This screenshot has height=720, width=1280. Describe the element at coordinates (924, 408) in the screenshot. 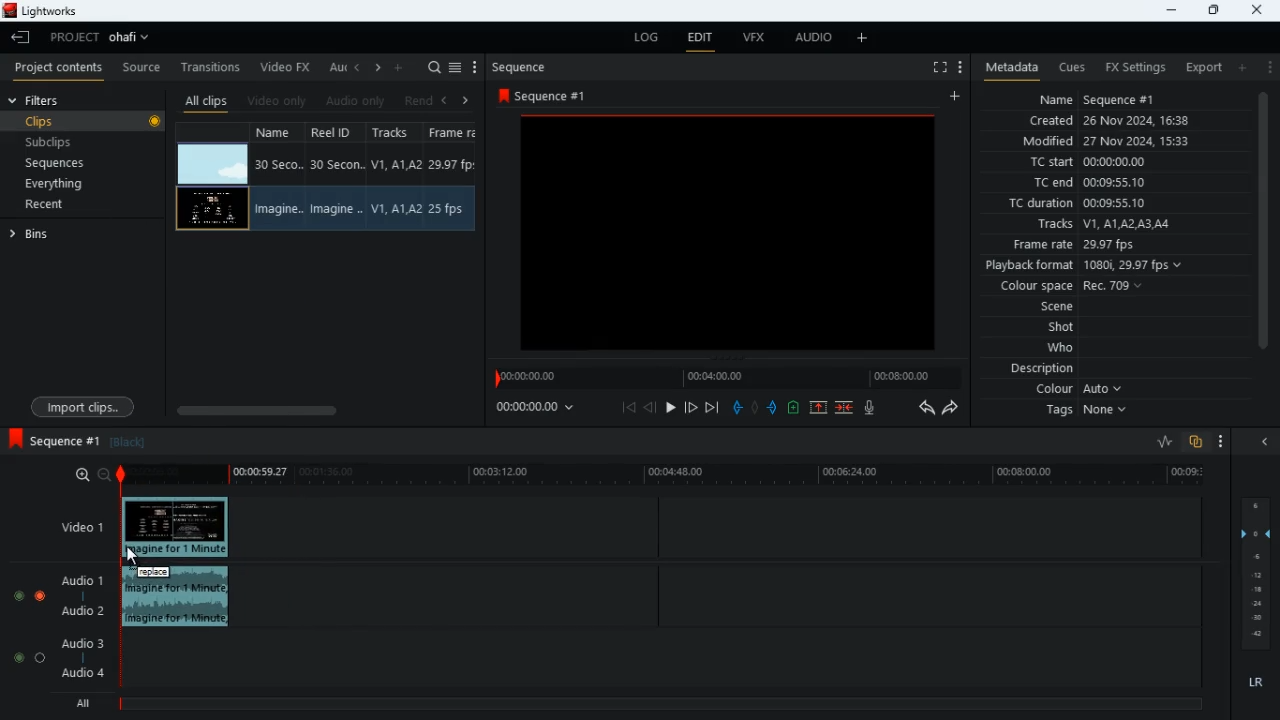

I see `backwards` at that location.